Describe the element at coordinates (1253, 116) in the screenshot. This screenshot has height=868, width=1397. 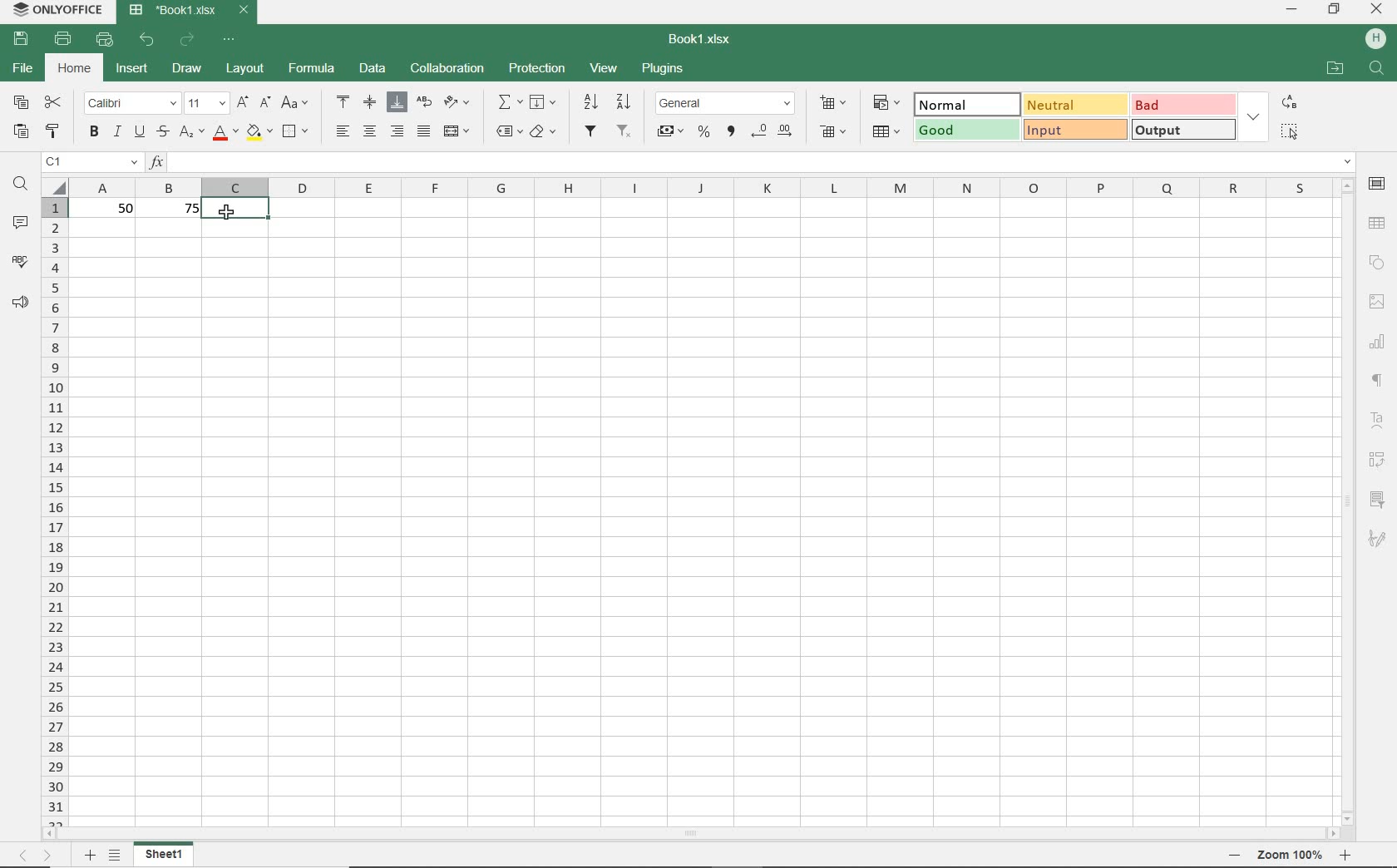
I see `expand` at that location.